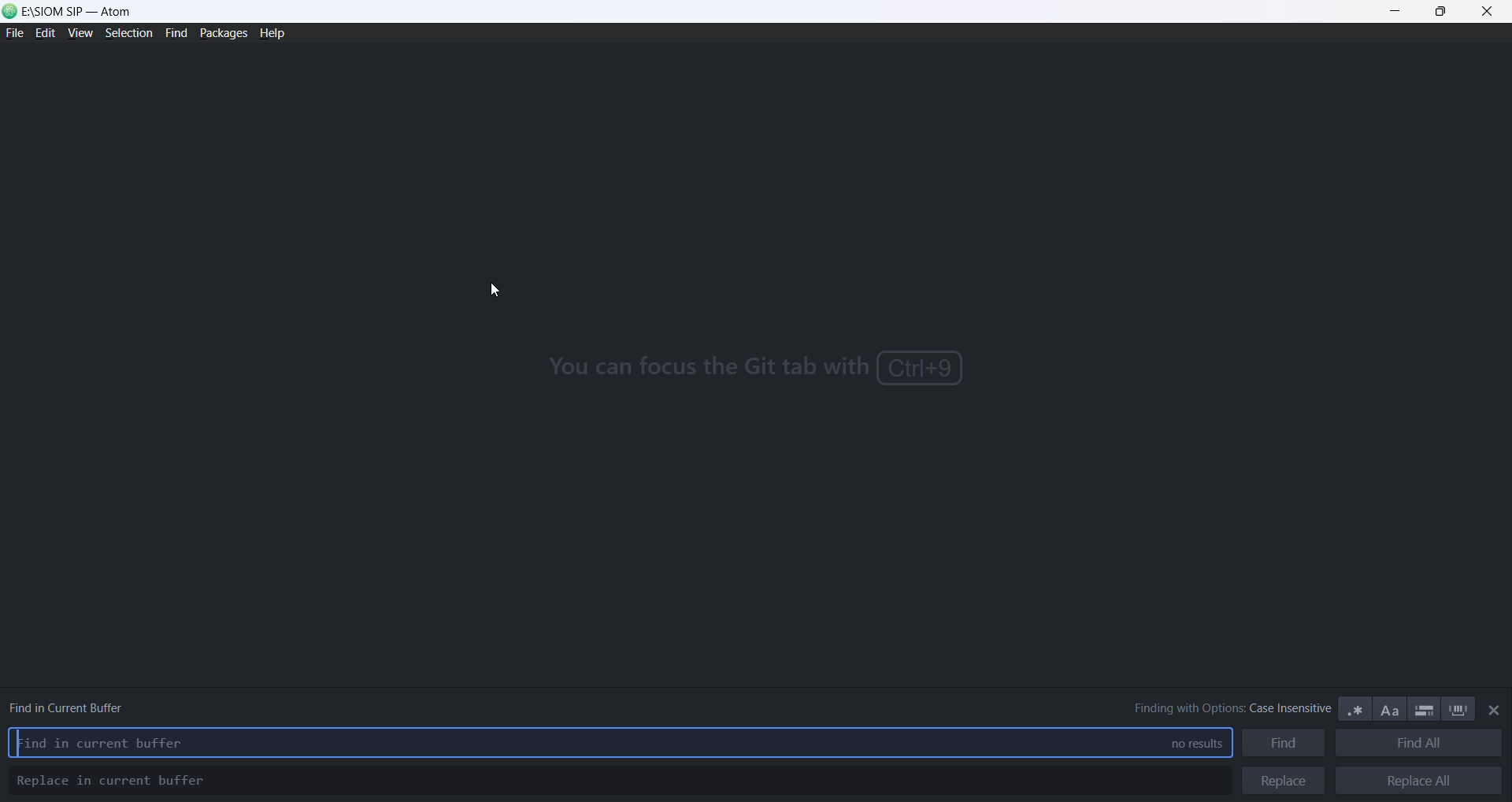 The image size is (1512, 802). I want to click on view, so click(78, 36).